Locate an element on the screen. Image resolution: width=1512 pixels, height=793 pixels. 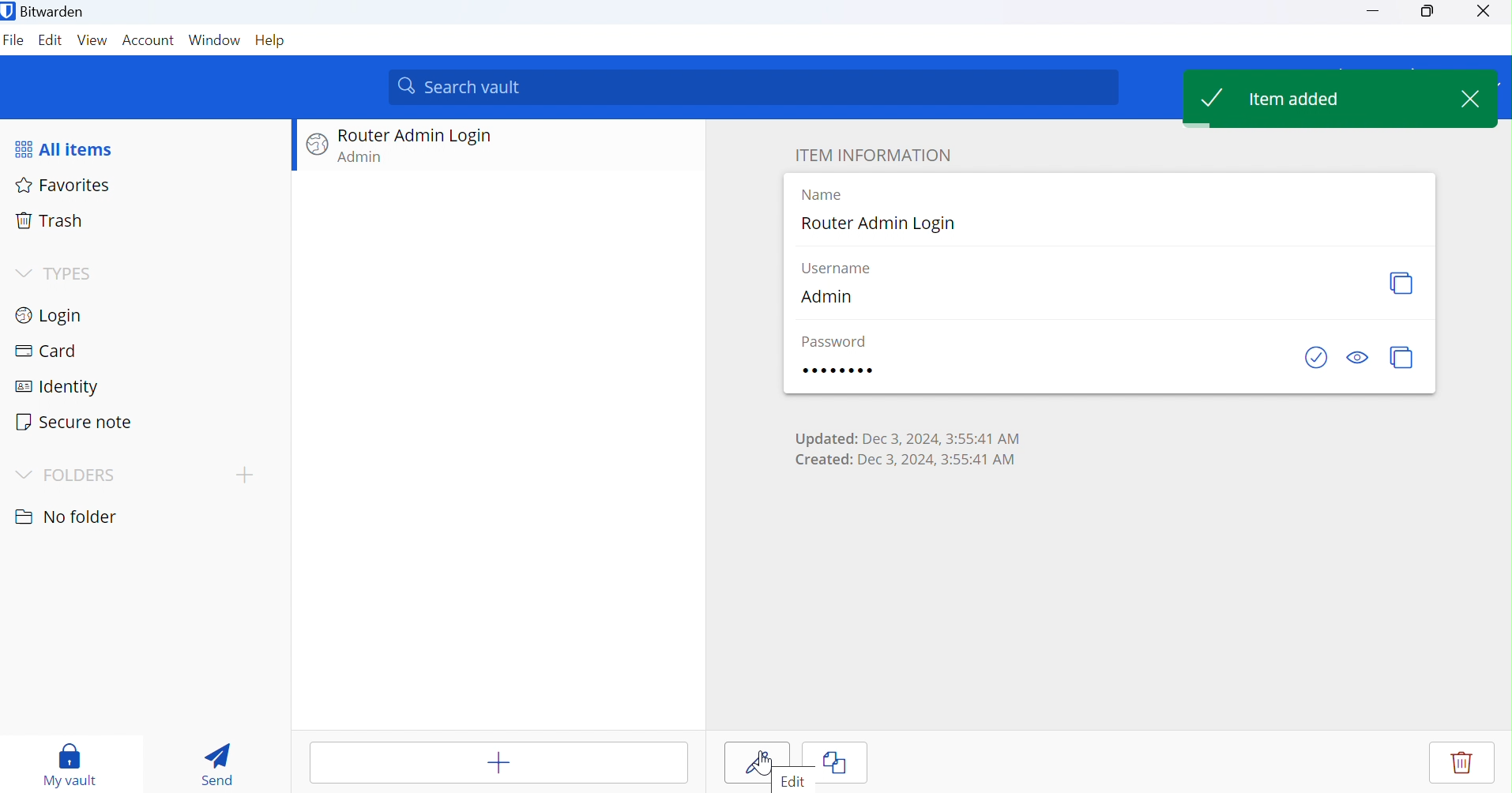
Login is located at coordinates (50, 314).